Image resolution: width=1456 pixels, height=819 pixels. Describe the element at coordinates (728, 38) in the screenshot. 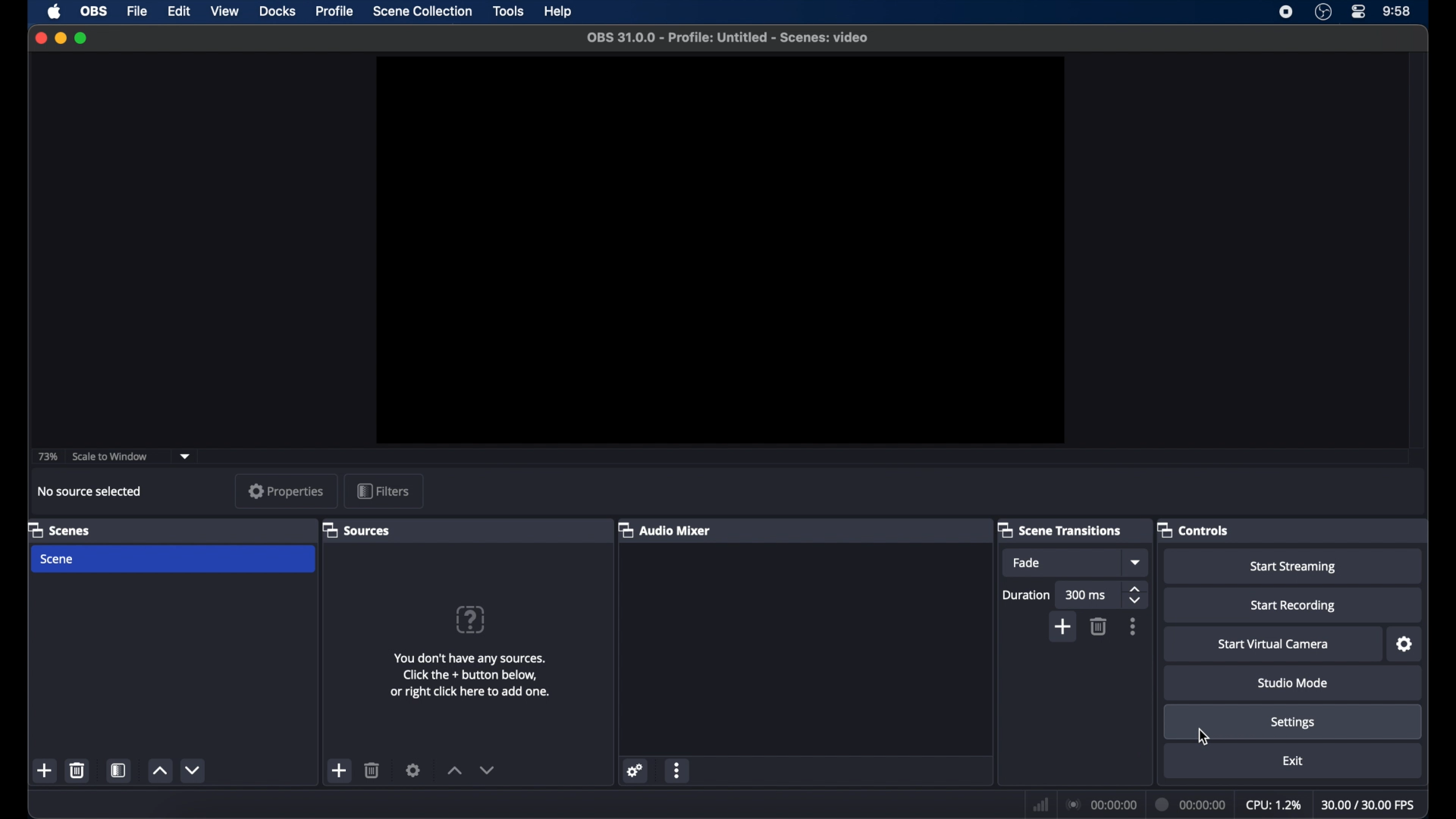

I see `filename` at that location.